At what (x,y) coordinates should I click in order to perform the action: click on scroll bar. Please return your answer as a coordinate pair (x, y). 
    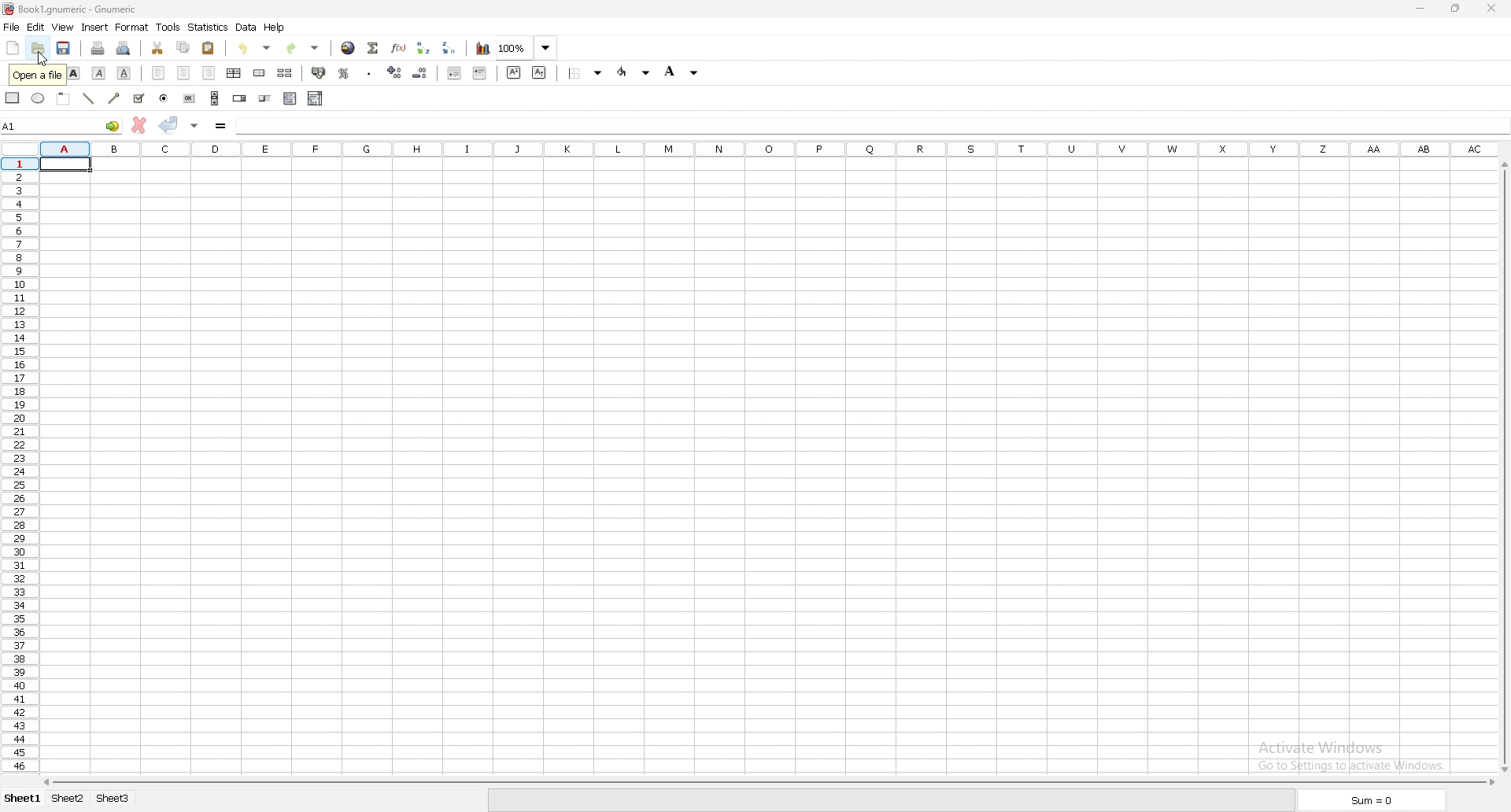
    Looking at the image, I should click on (1502, 467).